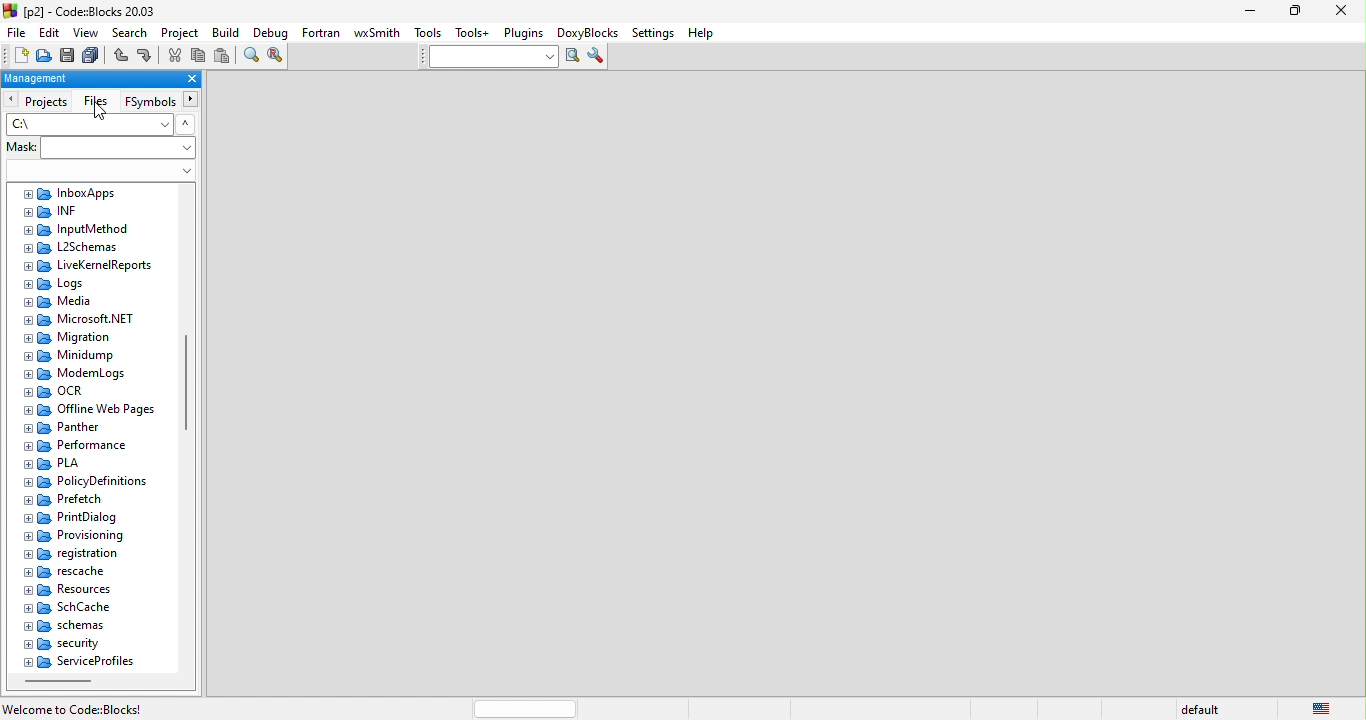 The image size is (1366, 720). I want to click on tools, so click(429, 32).